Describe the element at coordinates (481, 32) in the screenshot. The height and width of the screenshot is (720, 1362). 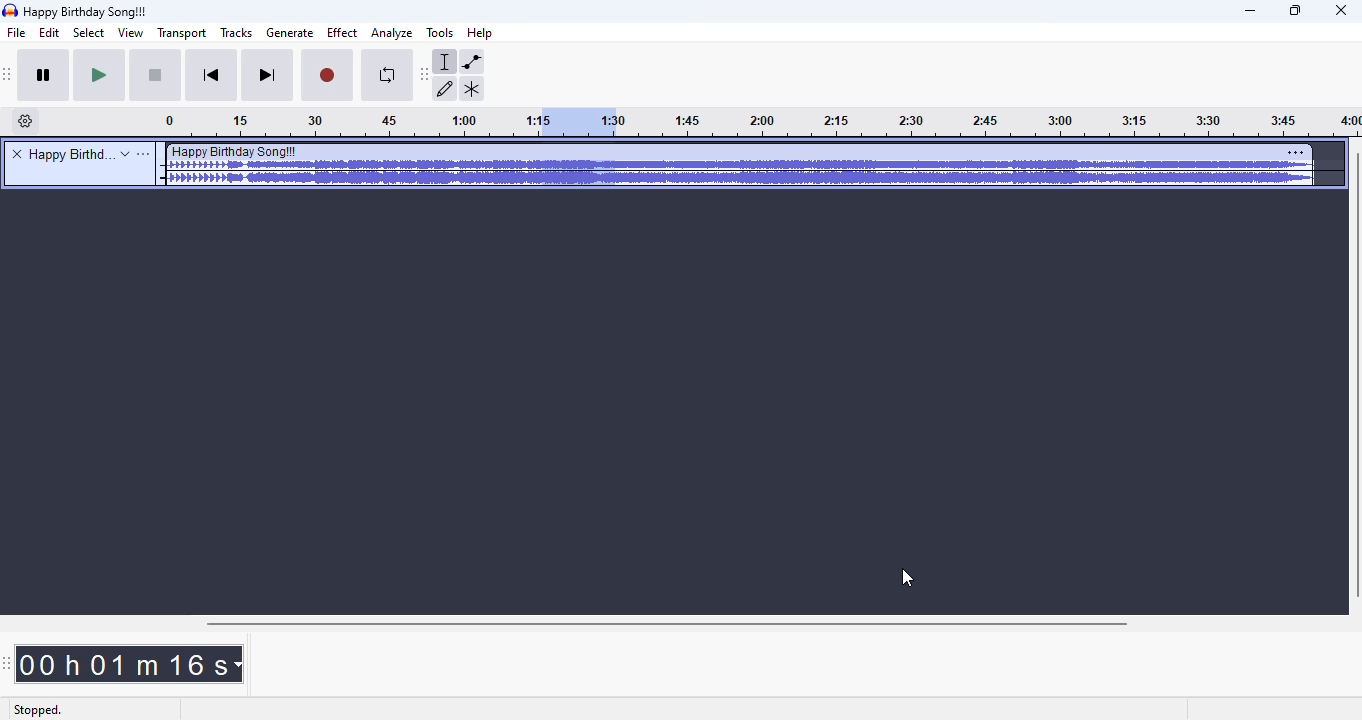
I see `help` at that location.